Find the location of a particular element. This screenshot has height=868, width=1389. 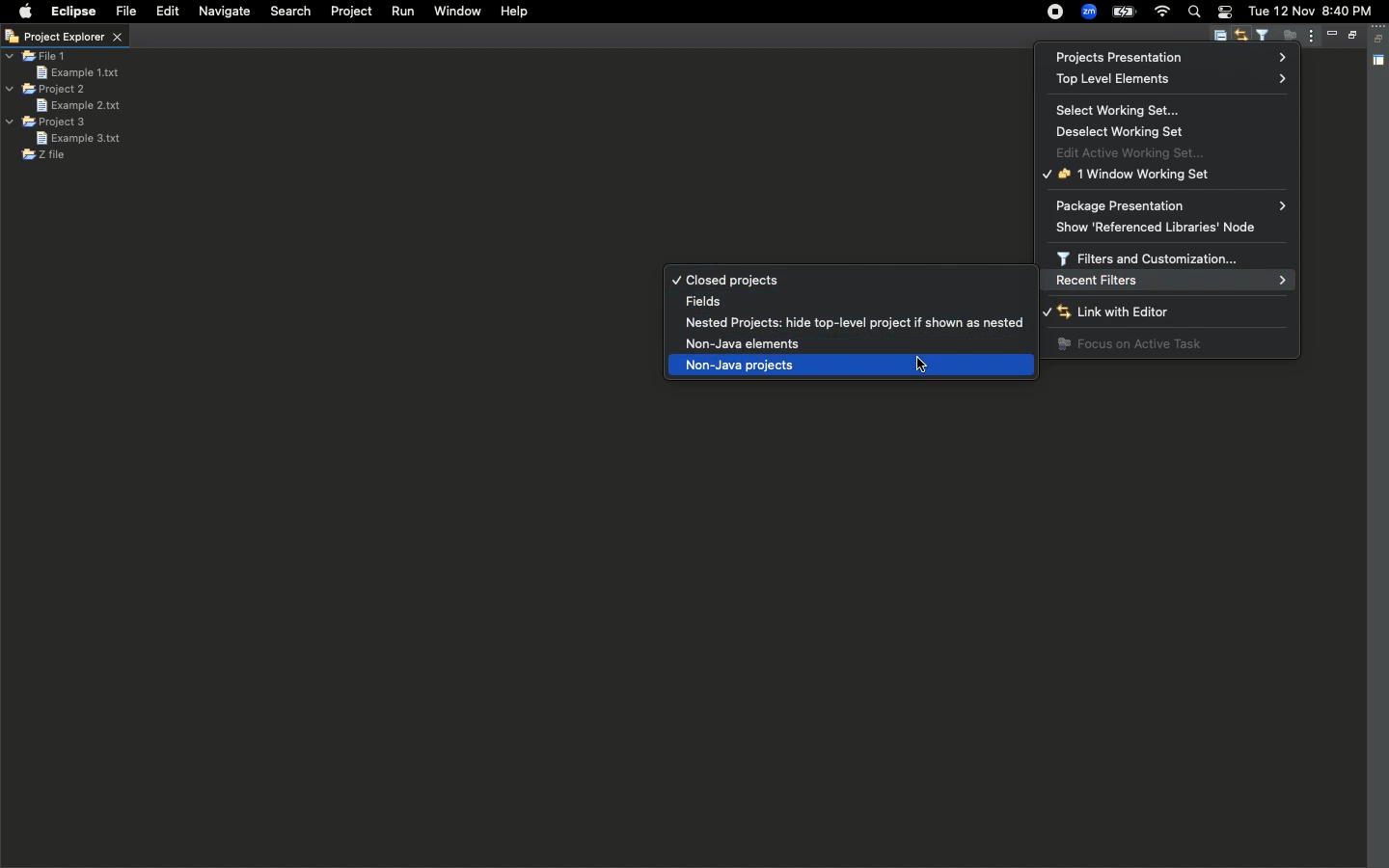

Edit is located at coordinates (165, 11).